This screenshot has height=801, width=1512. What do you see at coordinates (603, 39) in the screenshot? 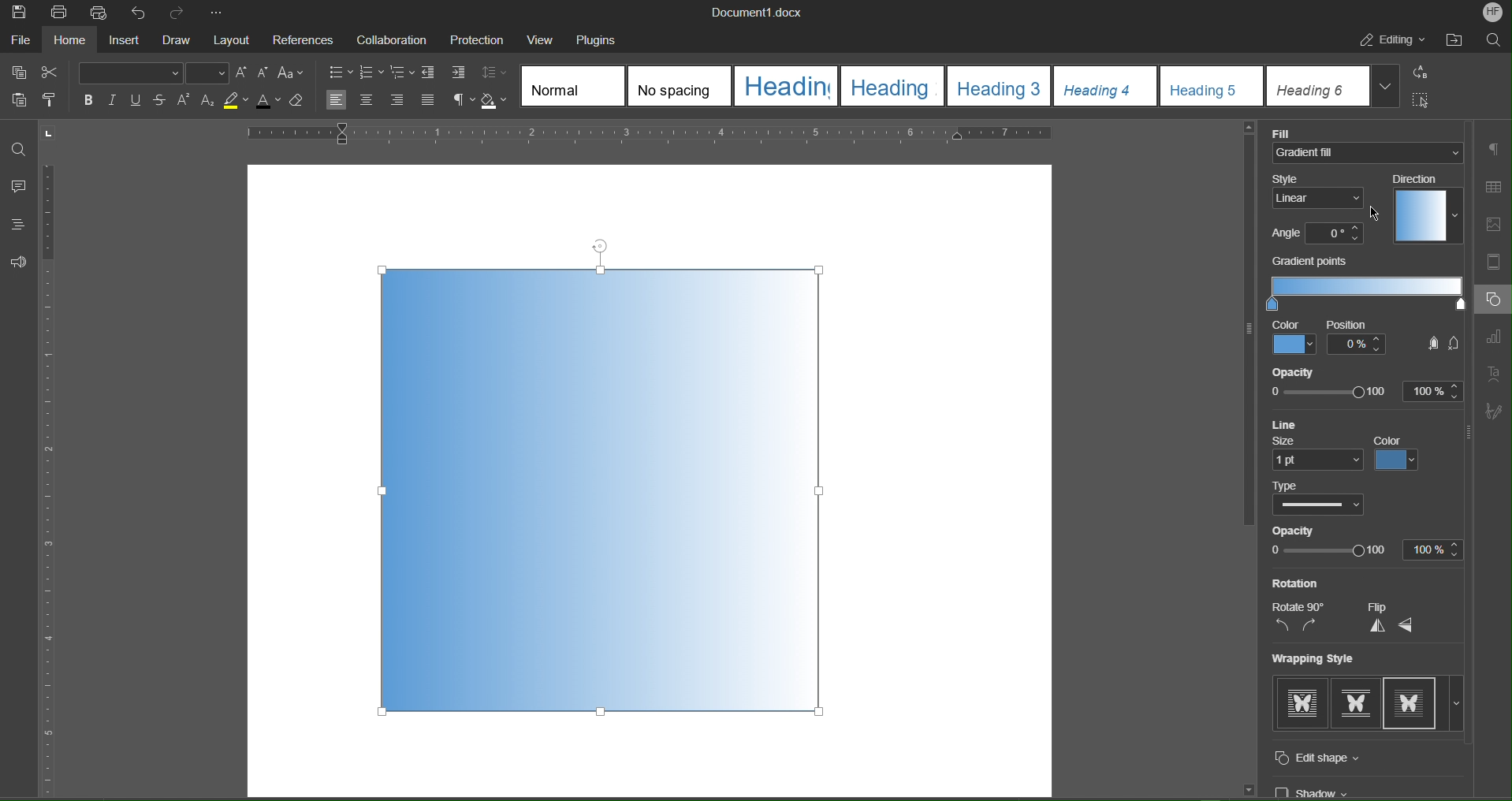
I see `Plugins` at bounding box center [603, 39].